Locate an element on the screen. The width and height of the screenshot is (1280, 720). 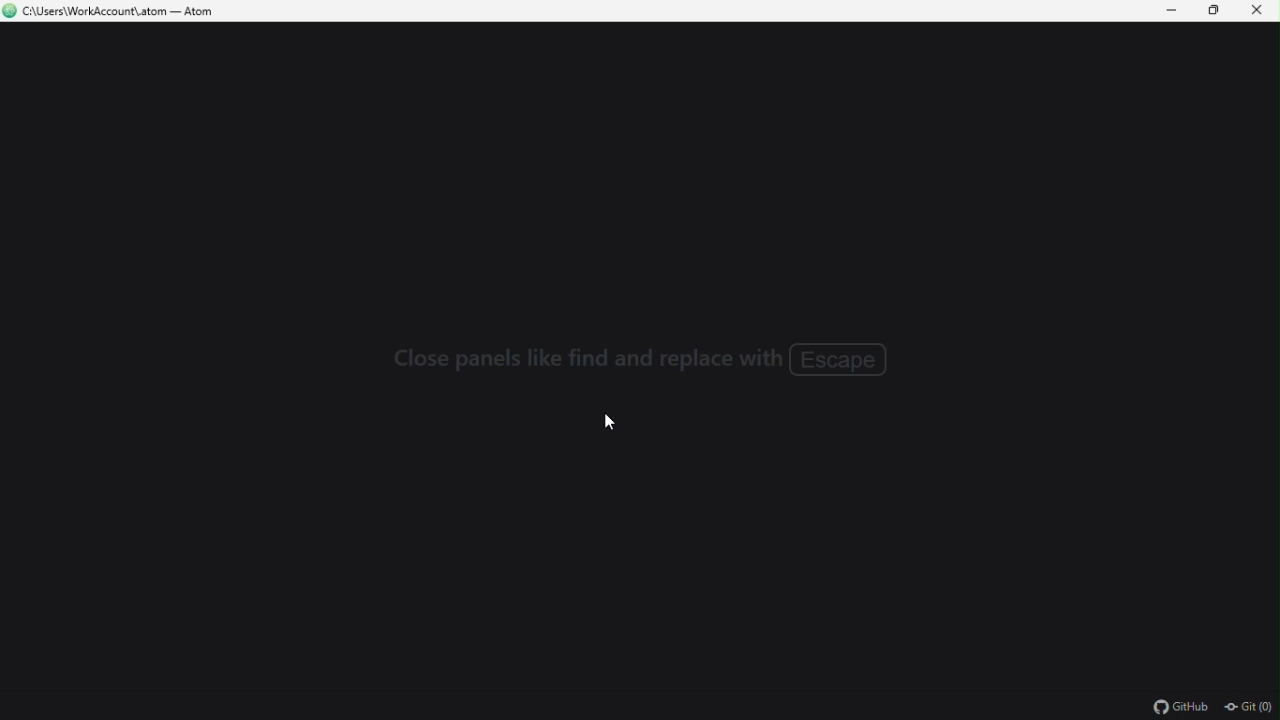
restore is located at coordinates (1218, 11).